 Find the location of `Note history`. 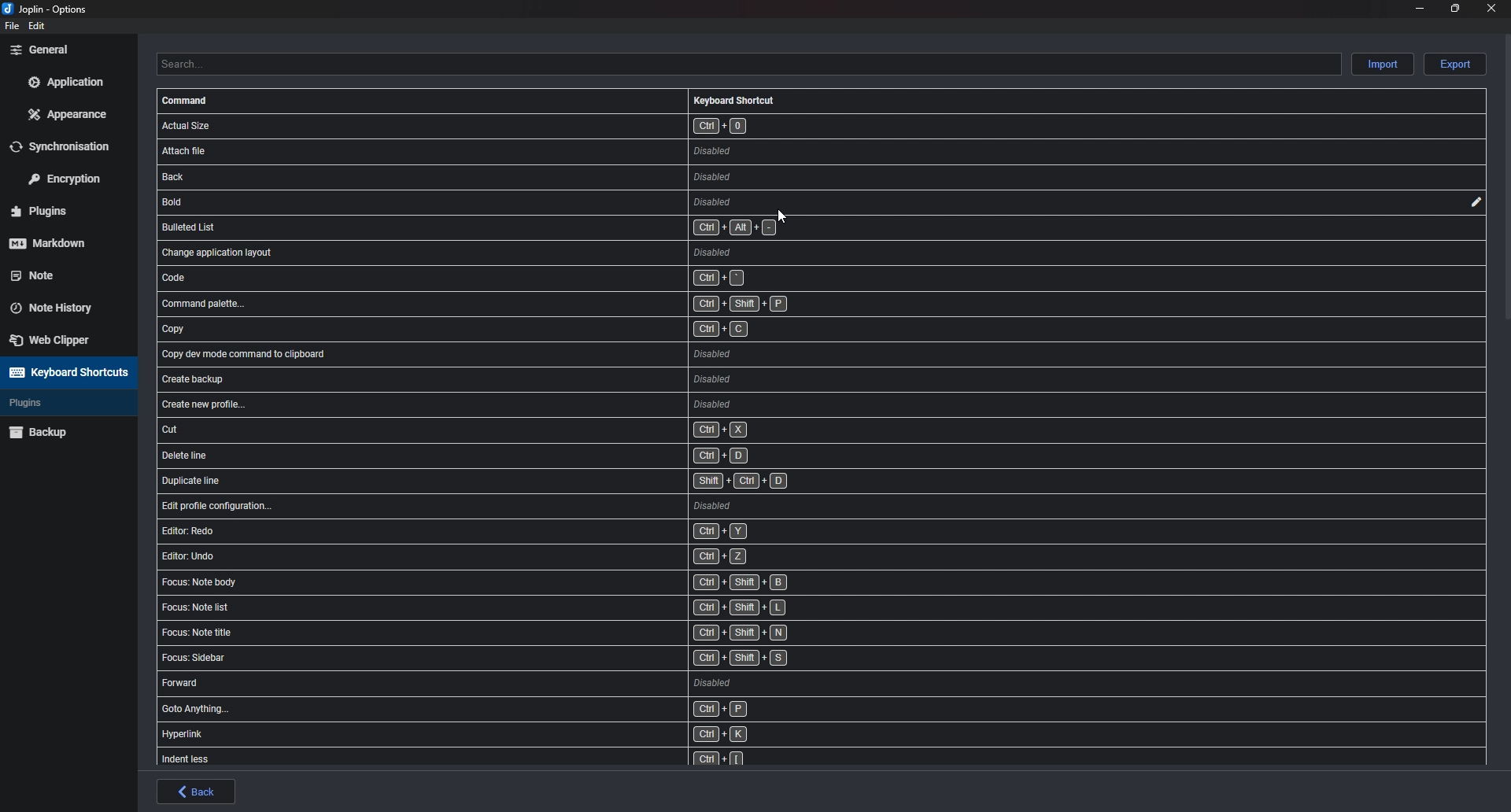

Note history is located at coordinates (60, 303).